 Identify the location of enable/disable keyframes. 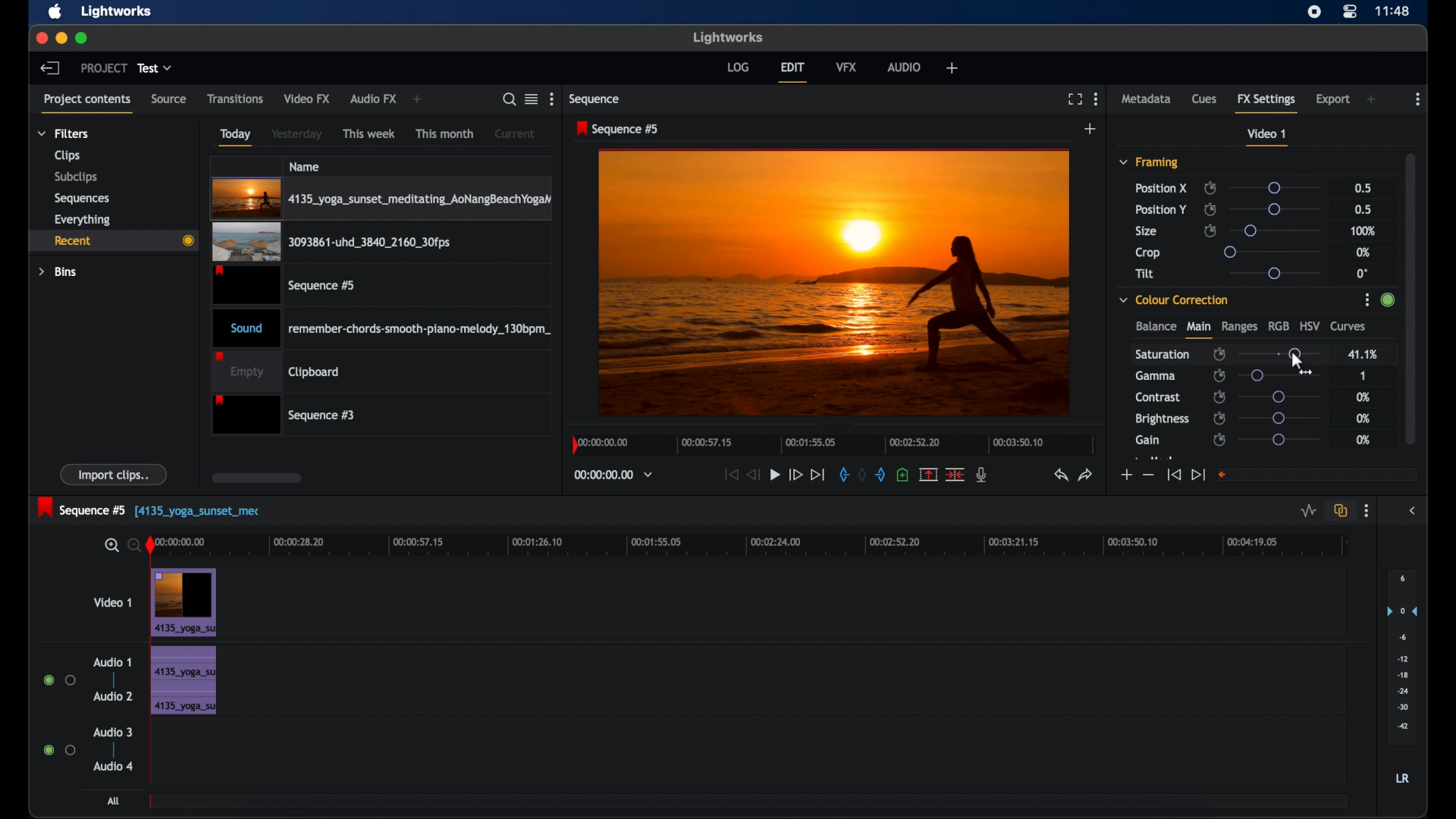
(1219, 440).